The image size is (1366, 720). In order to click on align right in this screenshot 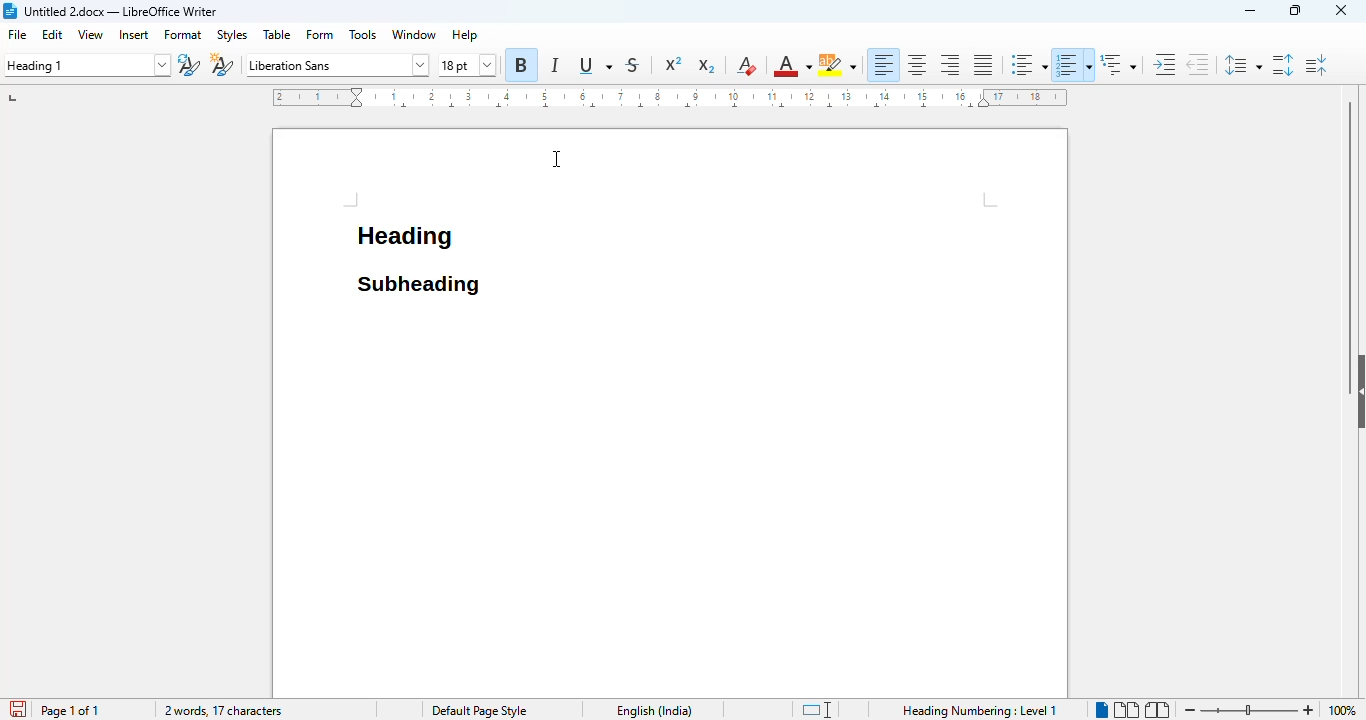, I will do `click(950, 64)`.